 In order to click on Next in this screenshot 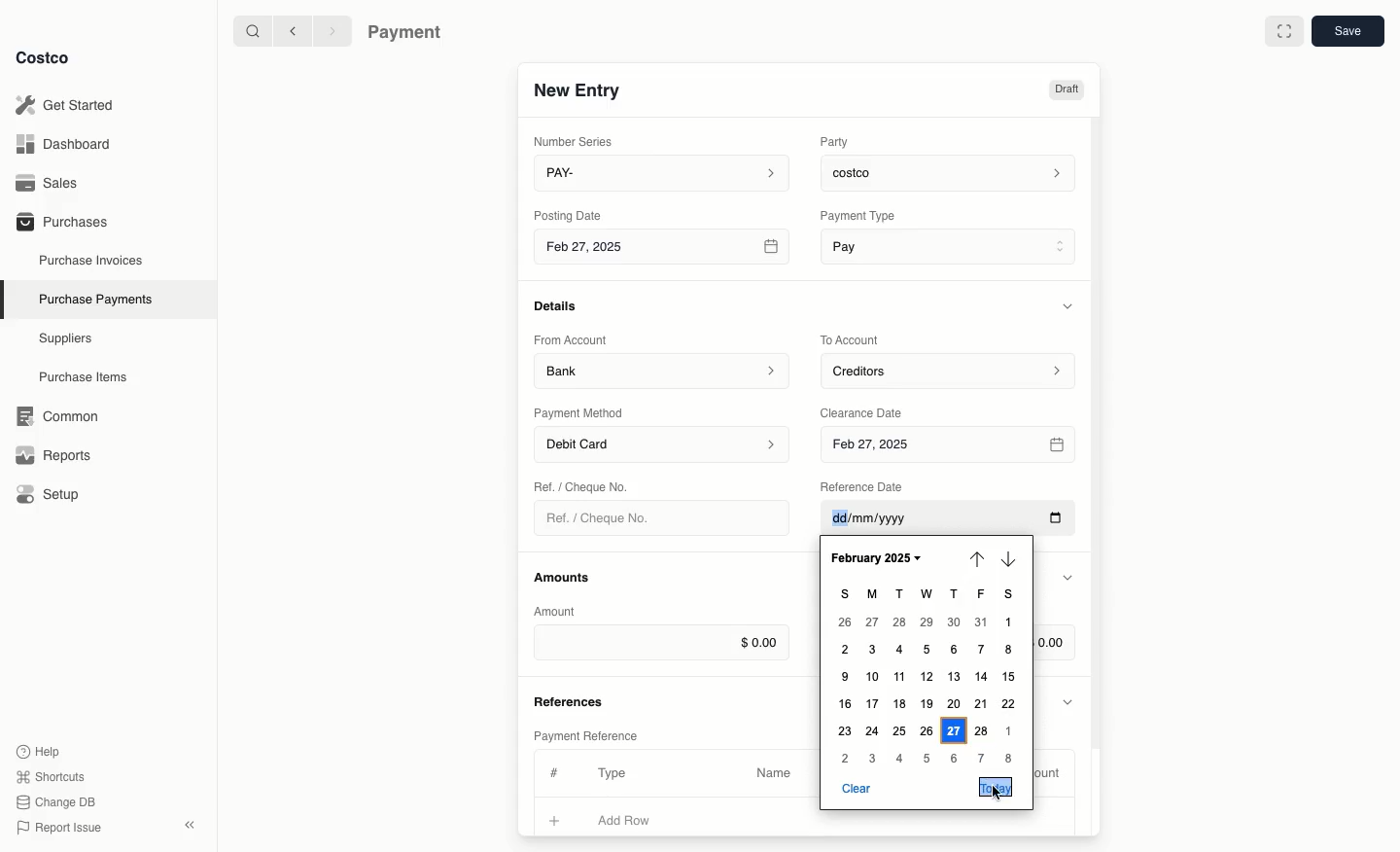, I will do `click(1007, 555)`.